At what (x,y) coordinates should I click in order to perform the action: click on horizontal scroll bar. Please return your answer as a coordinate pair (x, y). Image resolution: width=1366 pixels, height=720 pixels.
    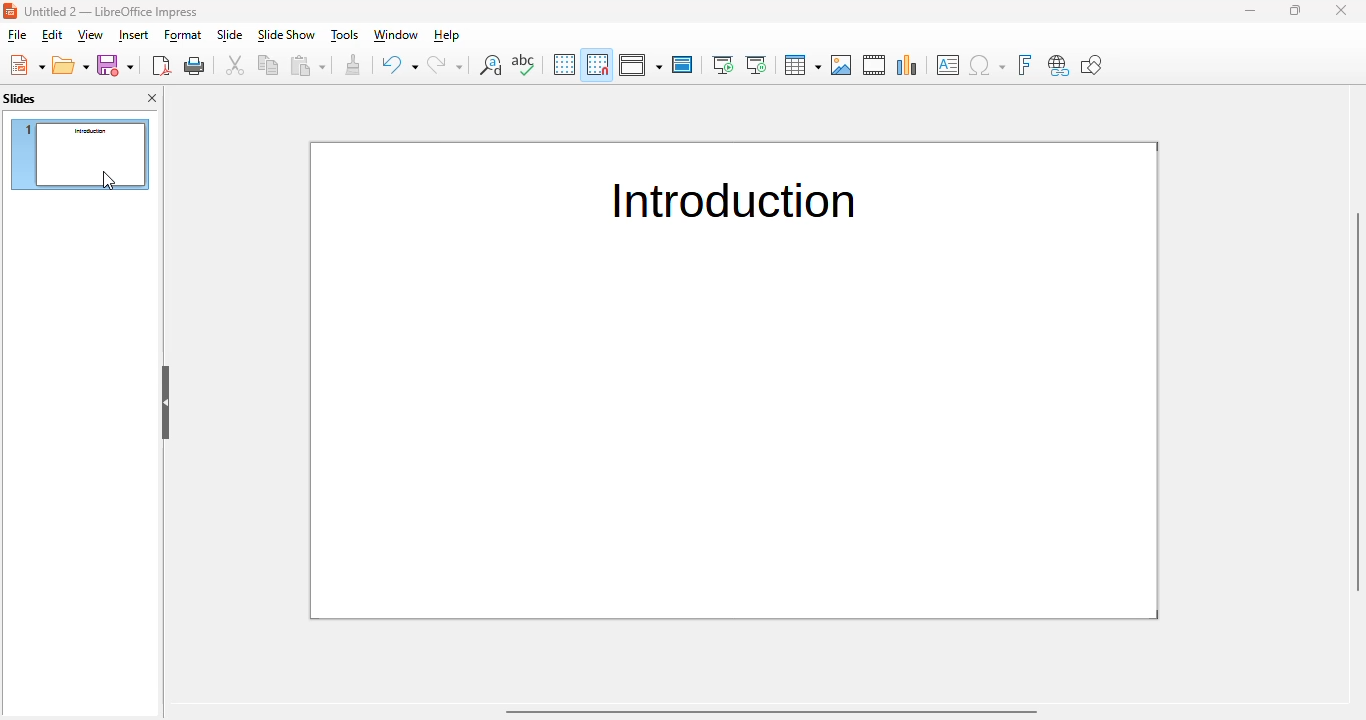
    Looking at the image, I should click on (771, 712).